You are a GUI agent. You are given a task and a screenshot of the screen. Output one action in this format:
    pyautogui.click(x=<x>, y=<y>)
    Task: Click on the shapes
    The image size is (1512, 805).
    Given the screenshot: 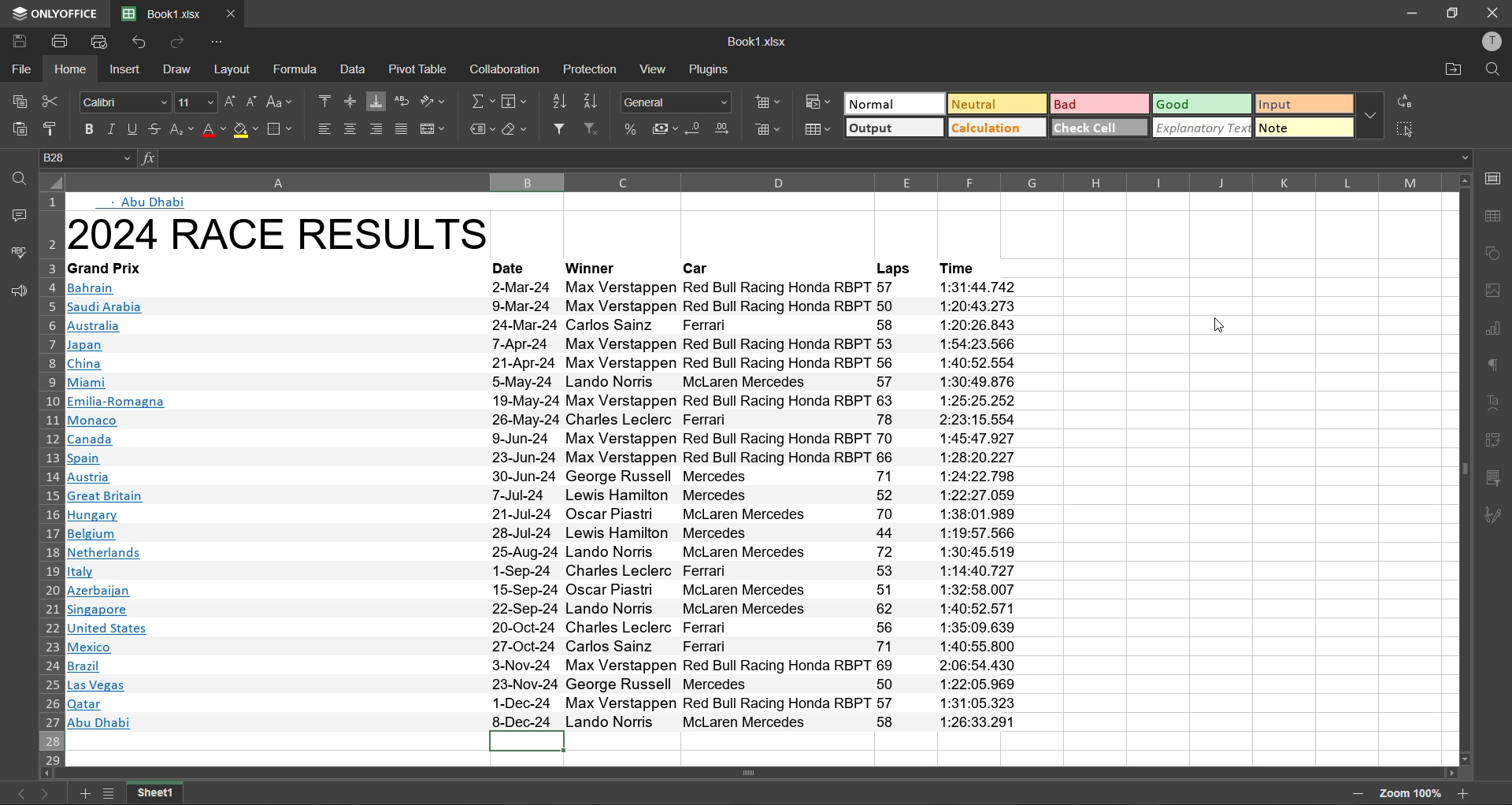 What is the action you would take?
    pyautogui.click(x=1496, y=255)
    